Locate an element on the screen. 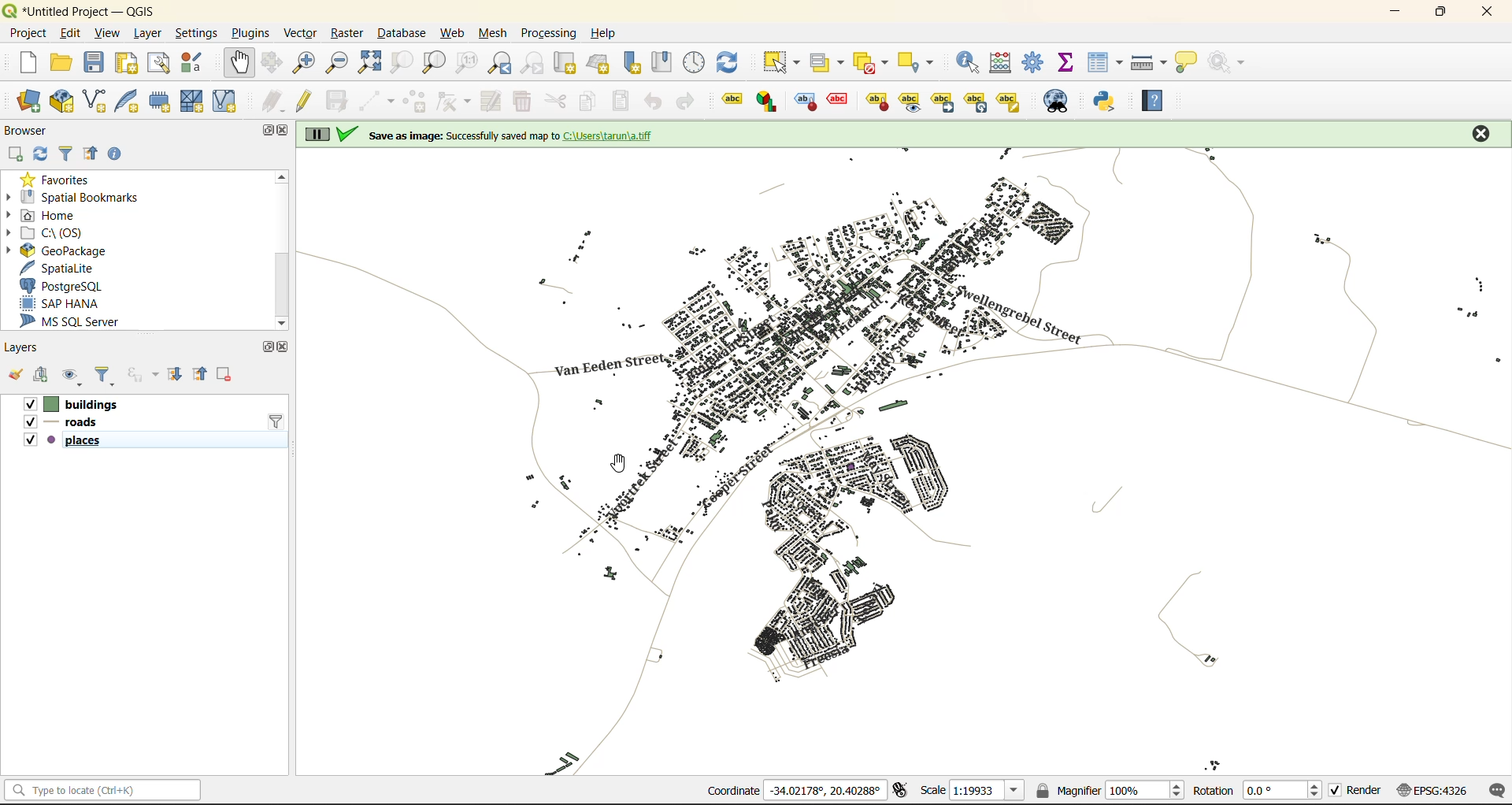 The image size is (1512, 805). select location is located at coordinates (921, 61).